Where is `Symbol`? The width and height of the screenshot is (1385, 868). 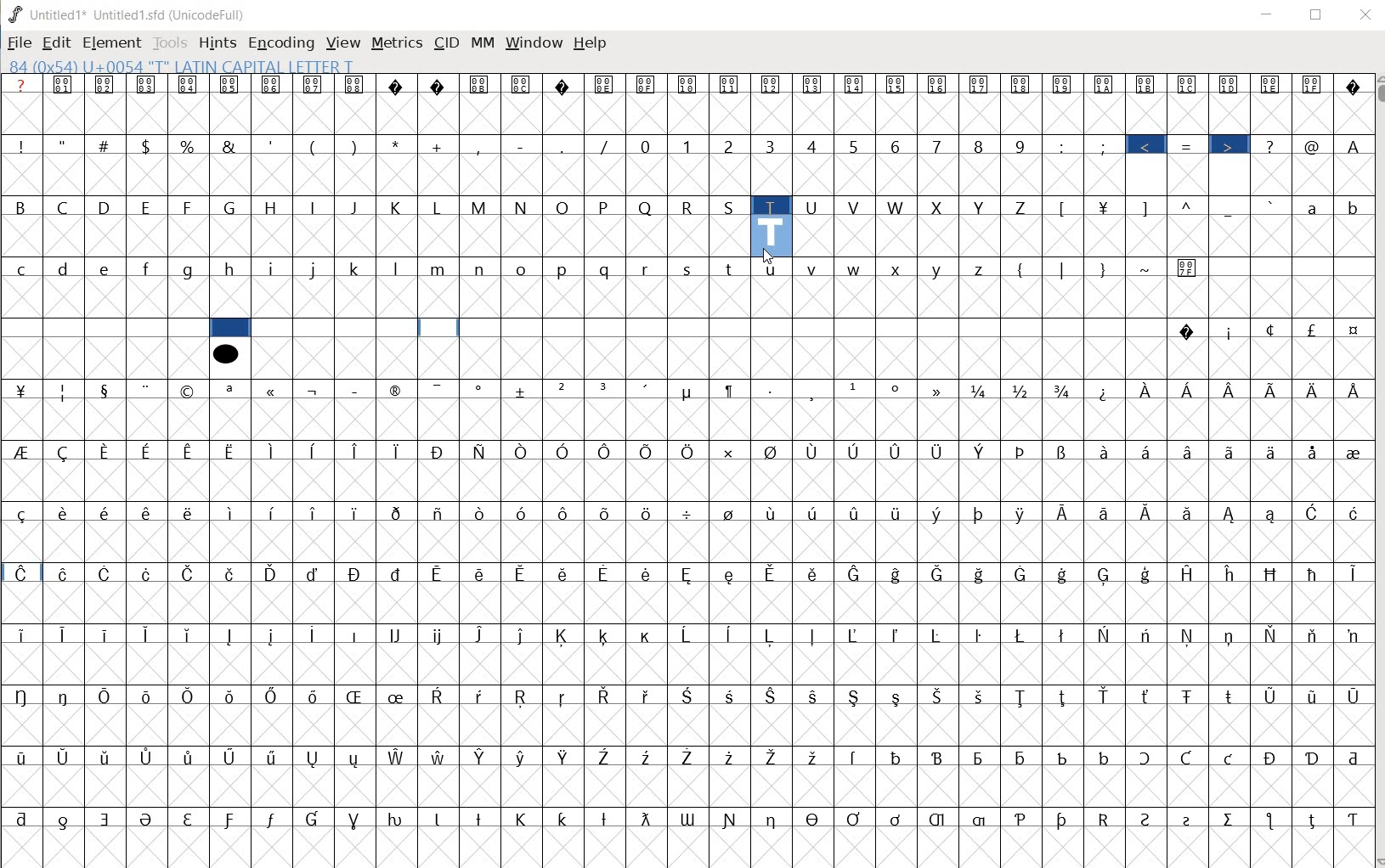 Symbol is located at coordinates (688, 451).